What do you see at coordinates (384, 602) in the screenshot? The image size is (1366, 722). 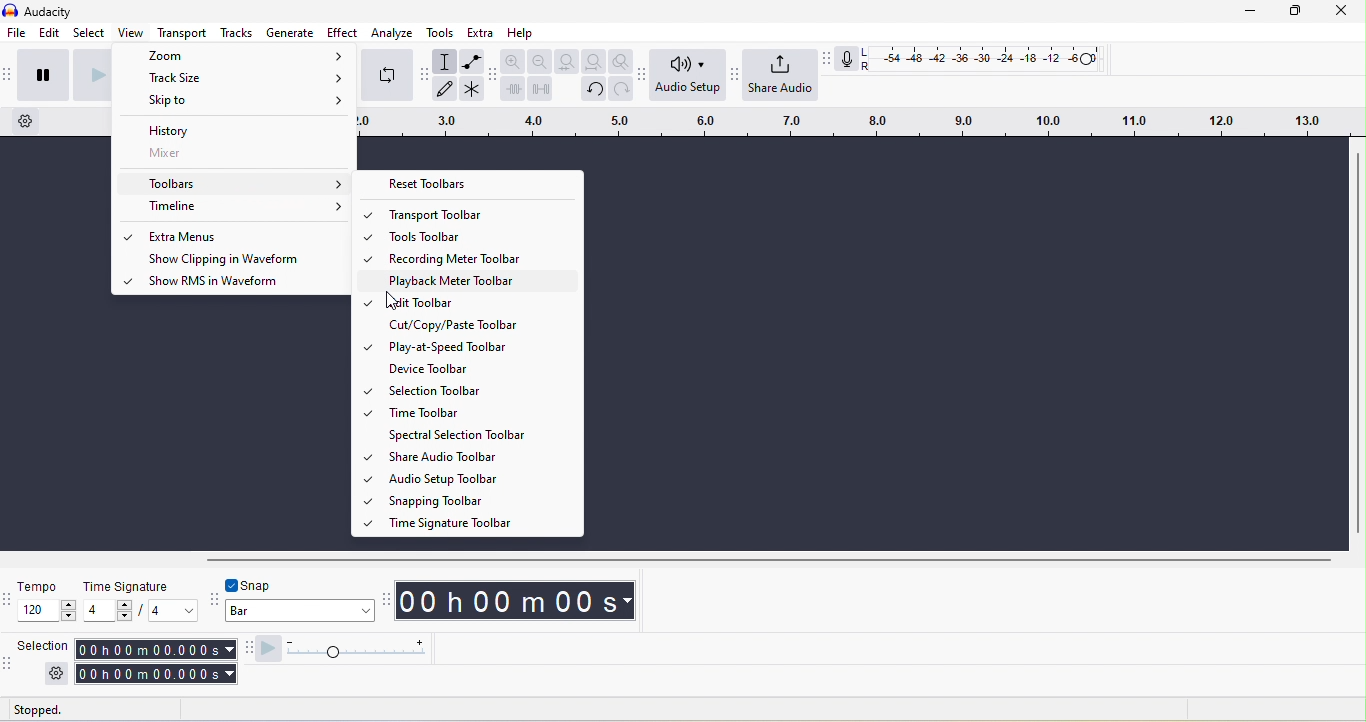 I see `audacity time toolbar` at bounding box center [384, 602].